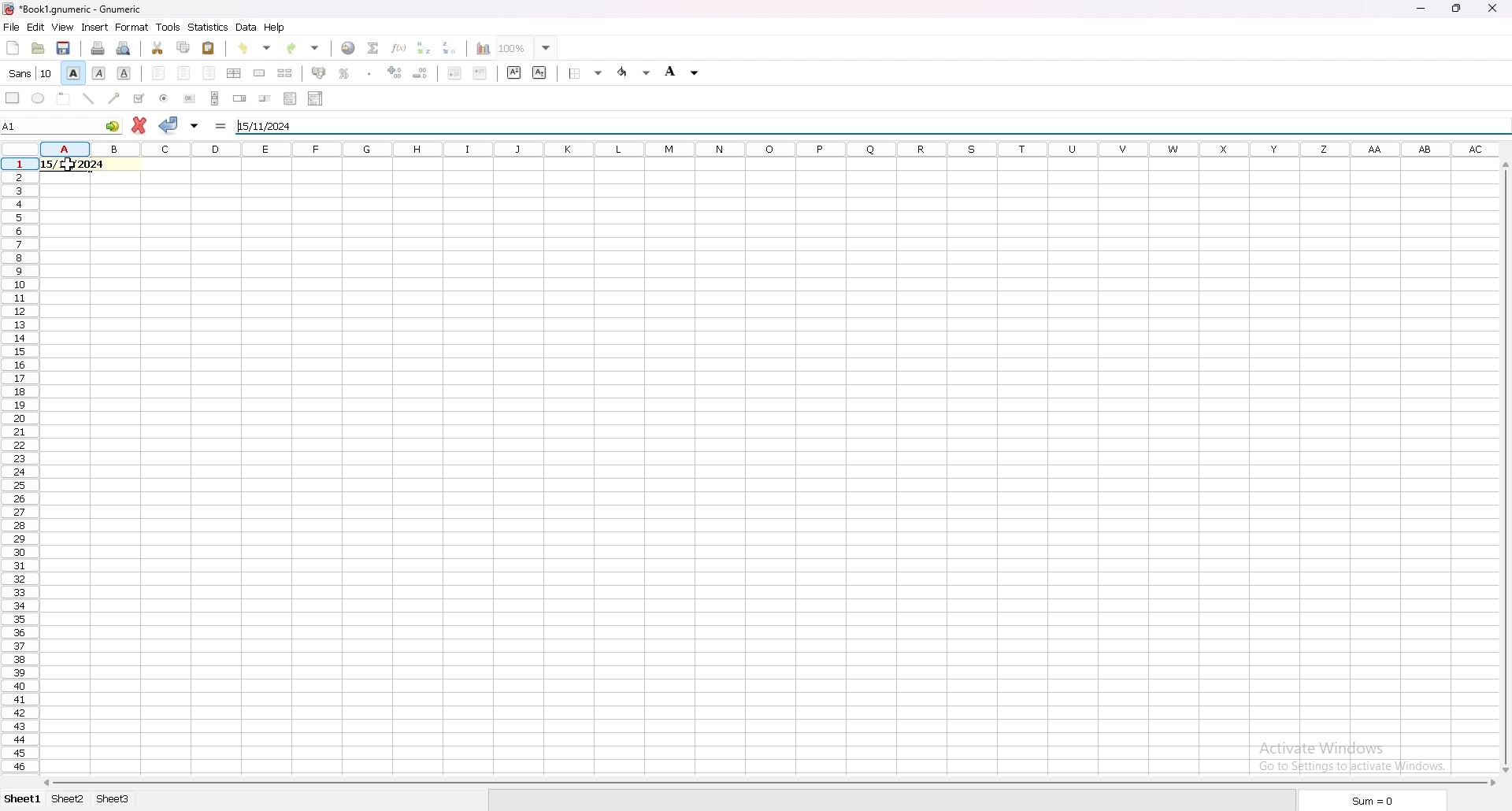 This screenshot has width=1512, height=811. I want to click on scroll bar, so click(1506, 466).